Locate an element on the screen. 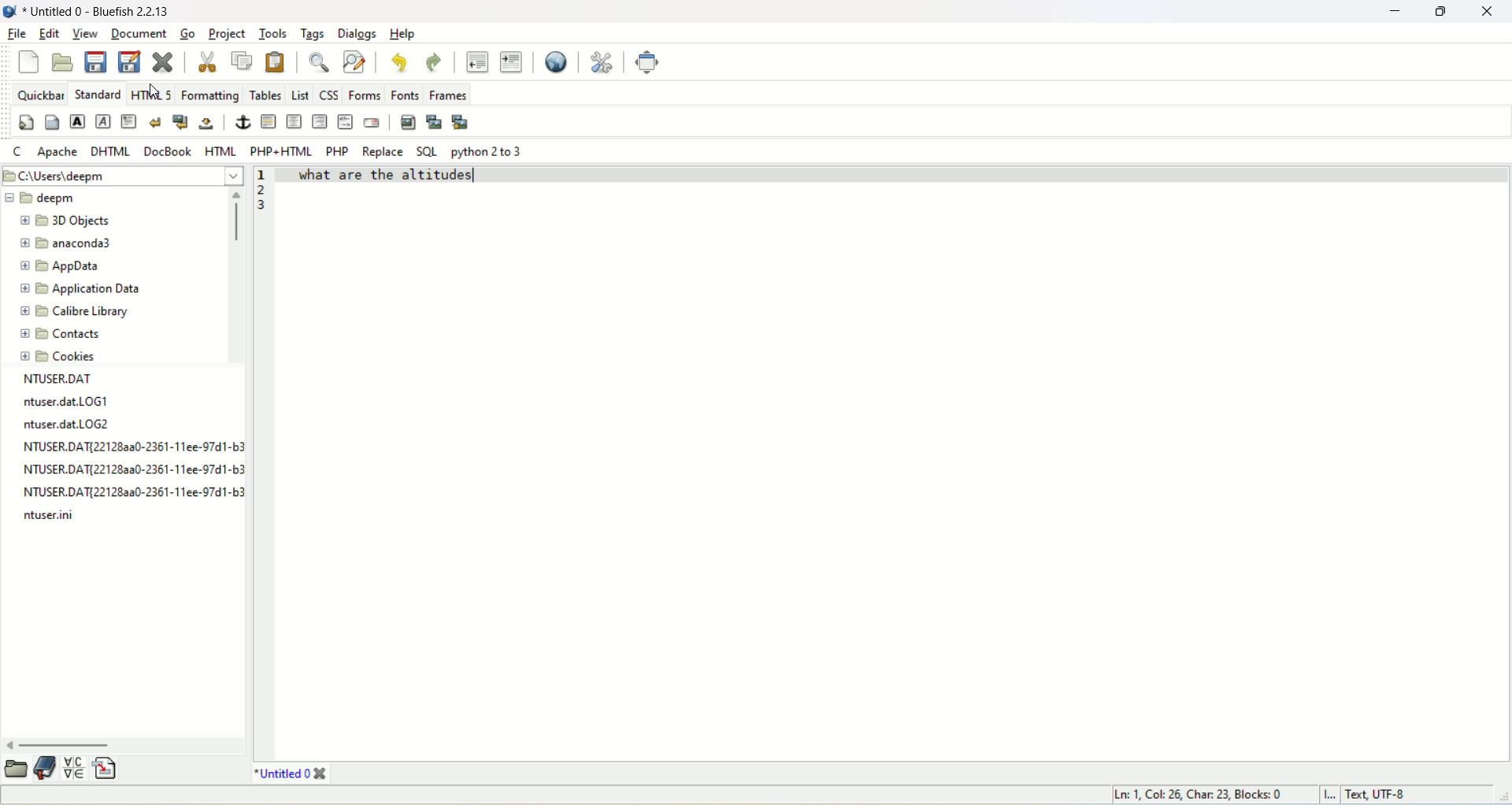 This screenshot has width=1512, height=805. 3D objects is located at coordinates (70, 222).